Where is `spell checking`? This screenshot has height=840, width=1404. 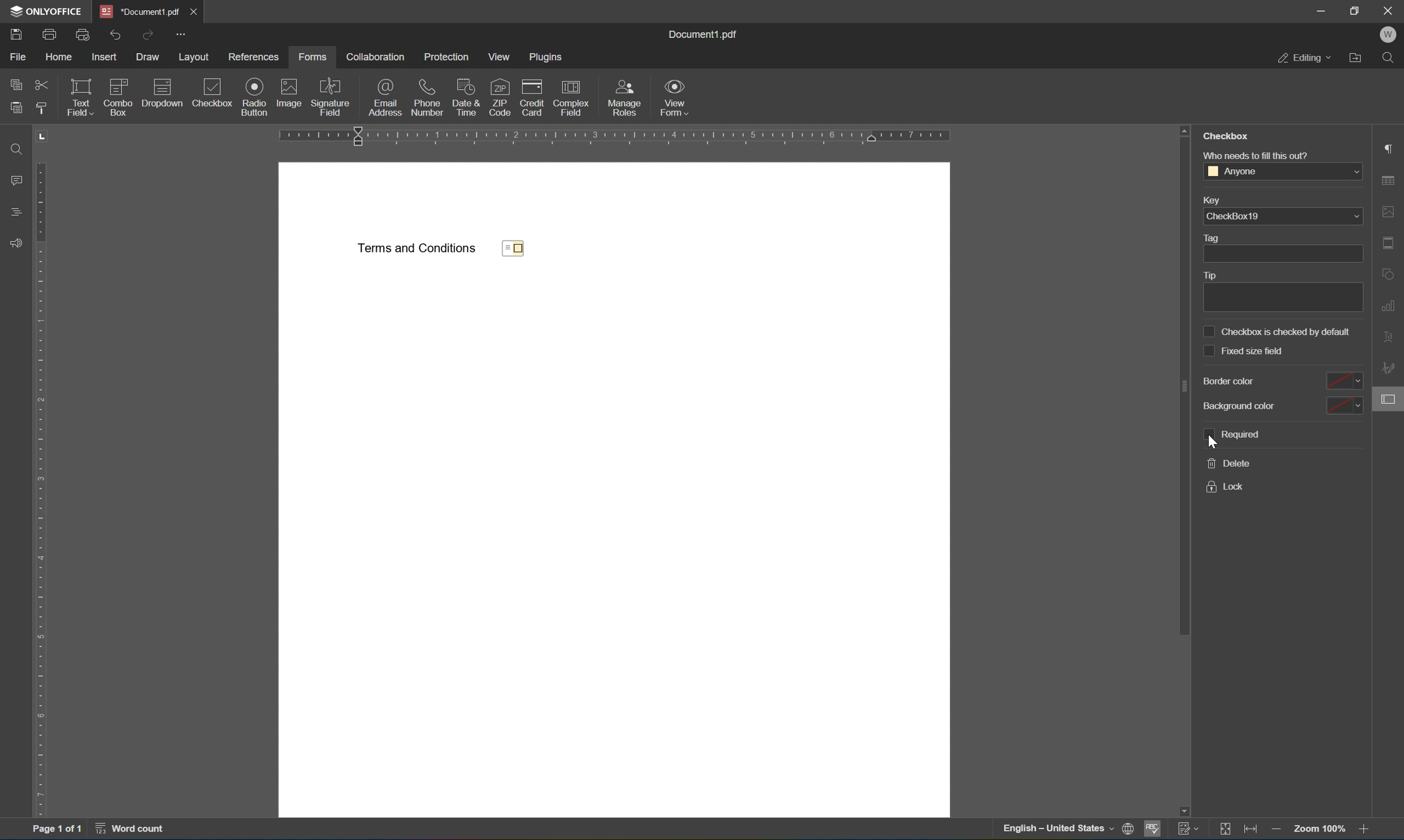 spell checking is located at coordinates (1154, 830).